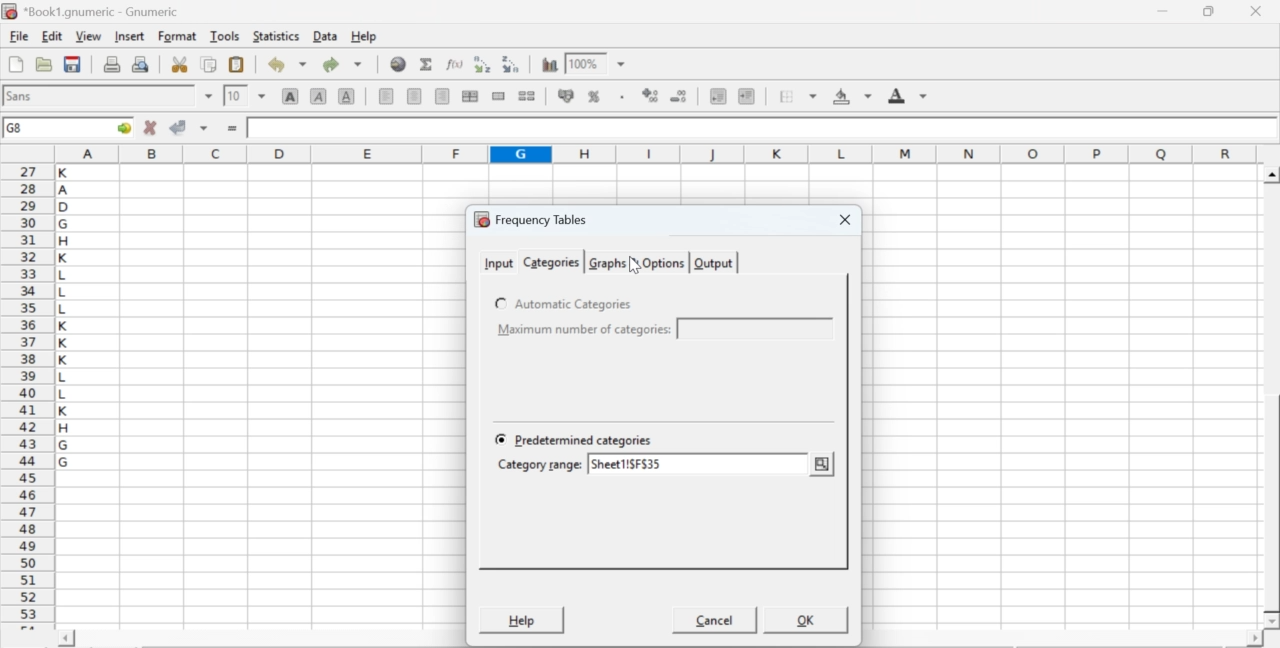 The height and width of the screenshot is (648, 1280). What do you see at coordinates (456, 63) in the screenshot?
I see `edit function in current cell` at bounding box center [456, 63].